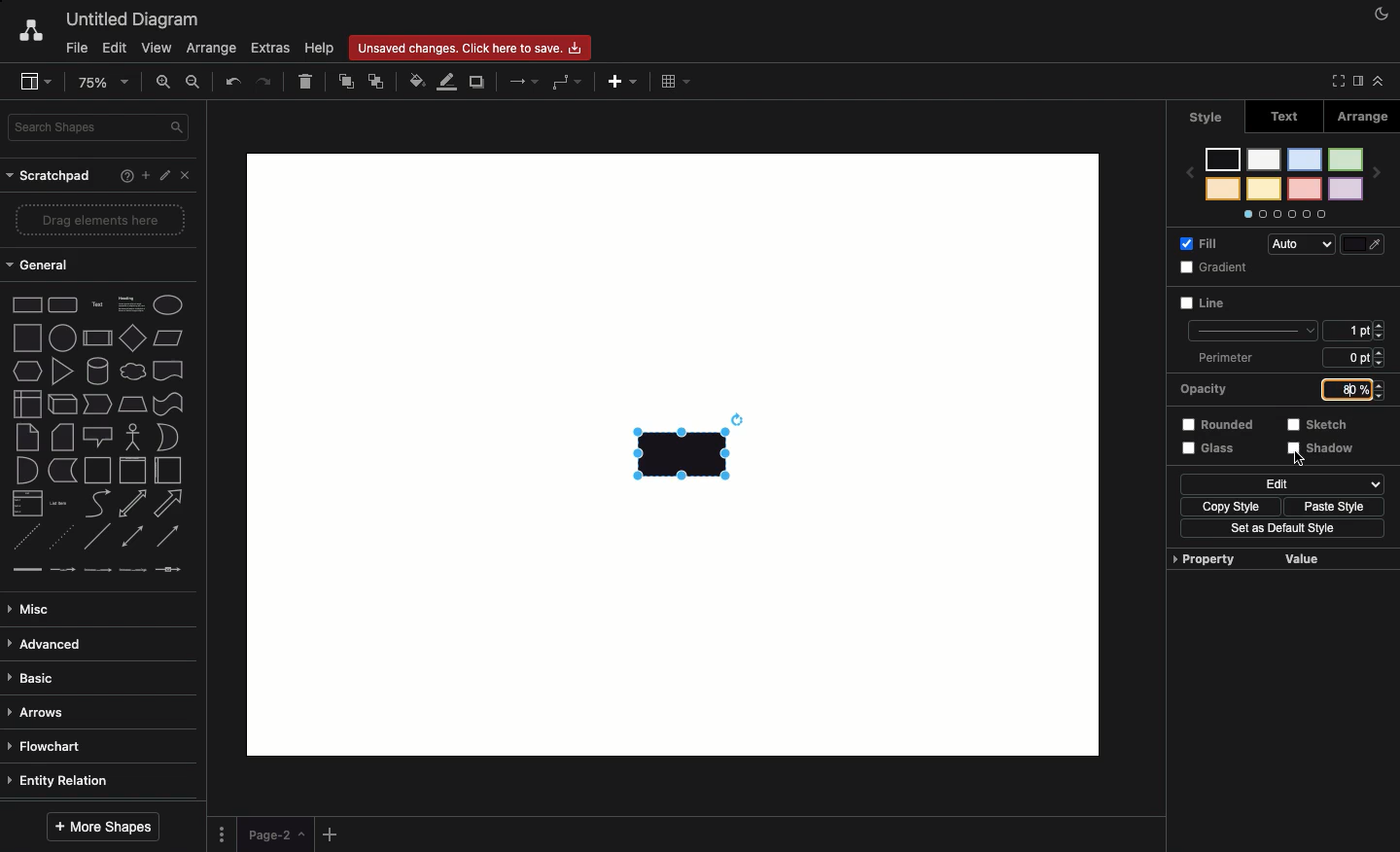 The width and height of the screenshot is (1400, 852). Describe the element at coordinates (1351, 333) in the screenshot. I see `1 pt` at that location.